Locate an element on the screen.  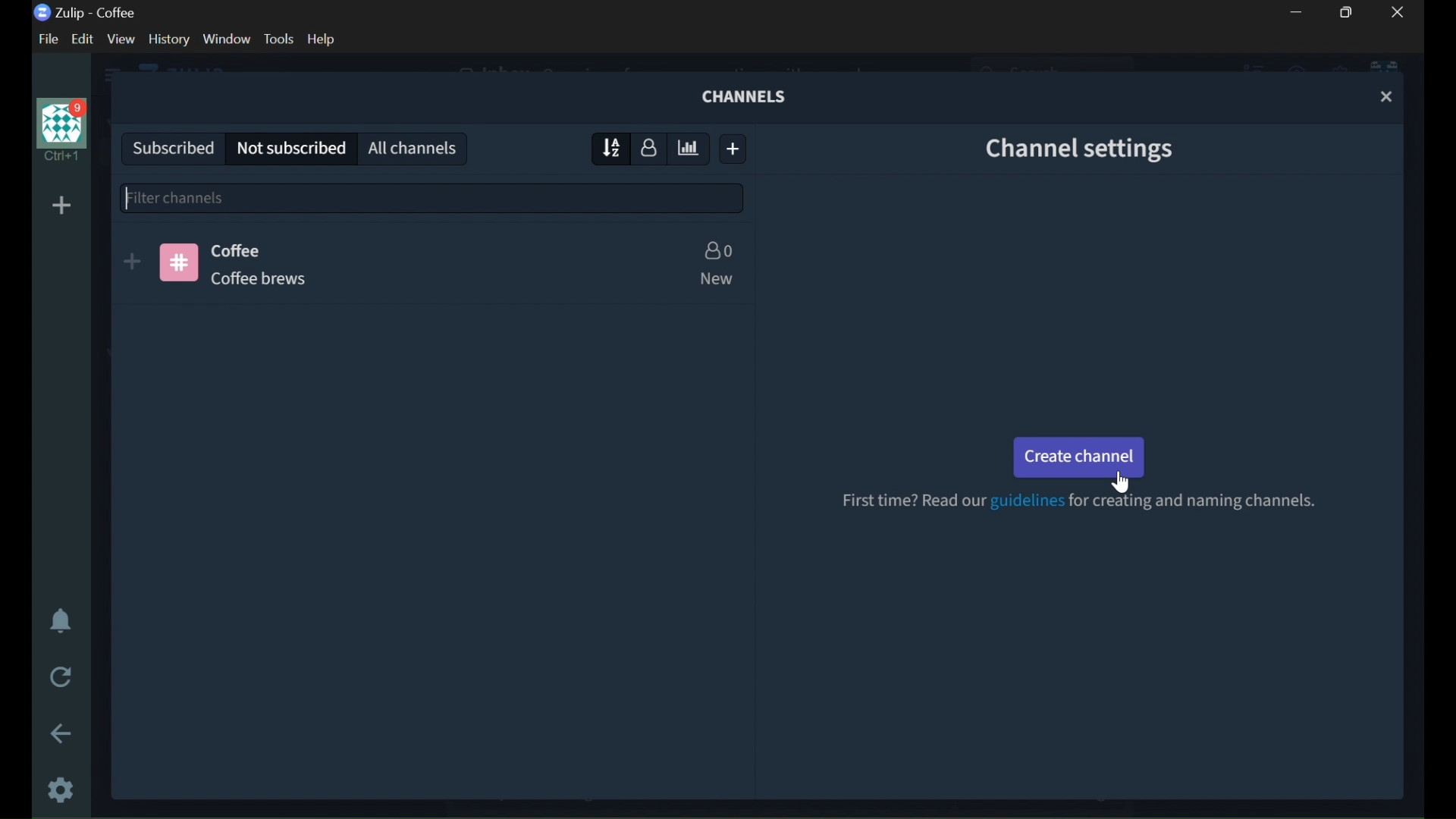
CLOSE is located at coordinates (1398, 12).